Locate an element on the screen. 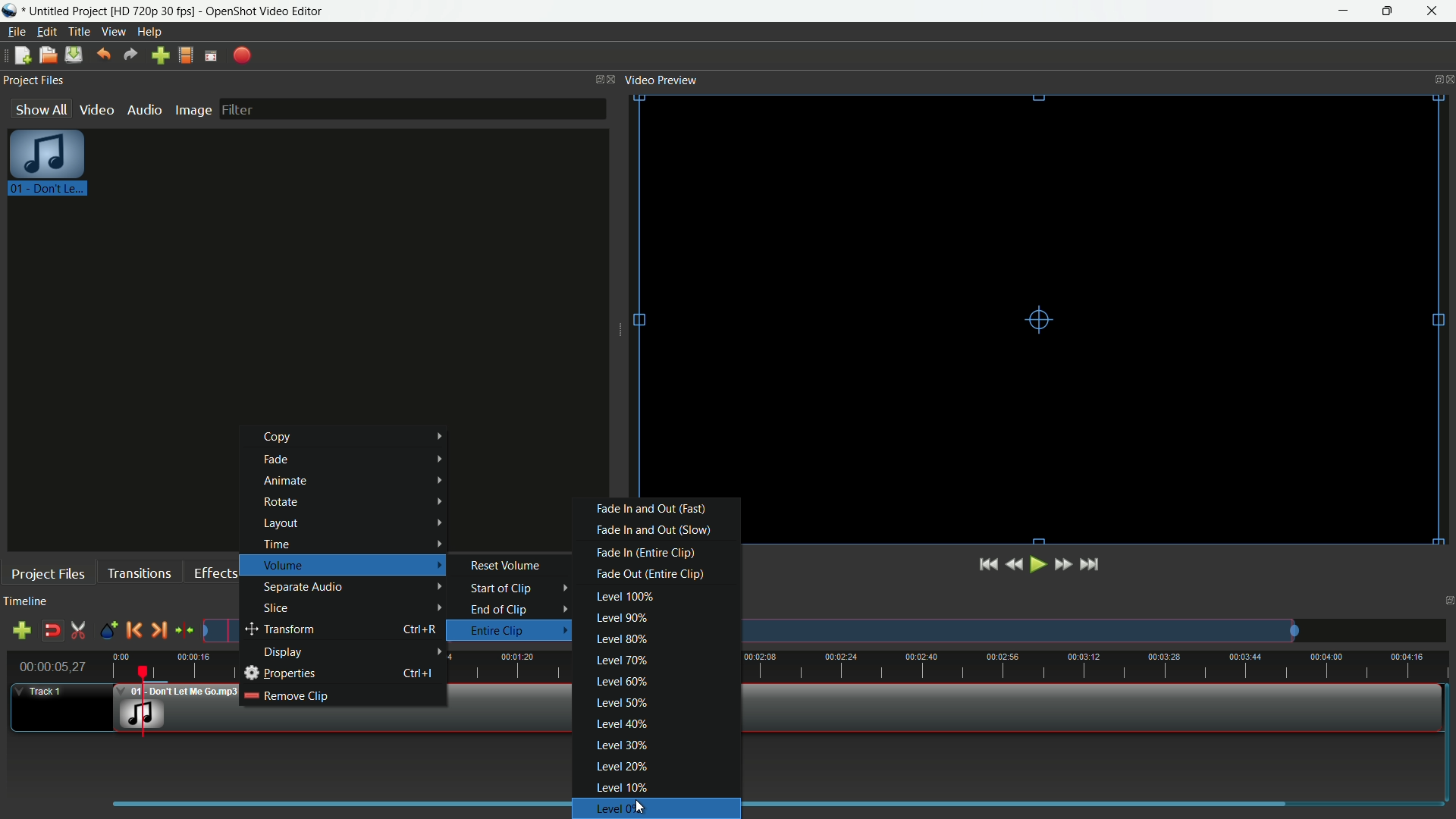 Image resolution: width=1456 pixels, height=819 pixels. minimize is located at coordinates (1345, 11).